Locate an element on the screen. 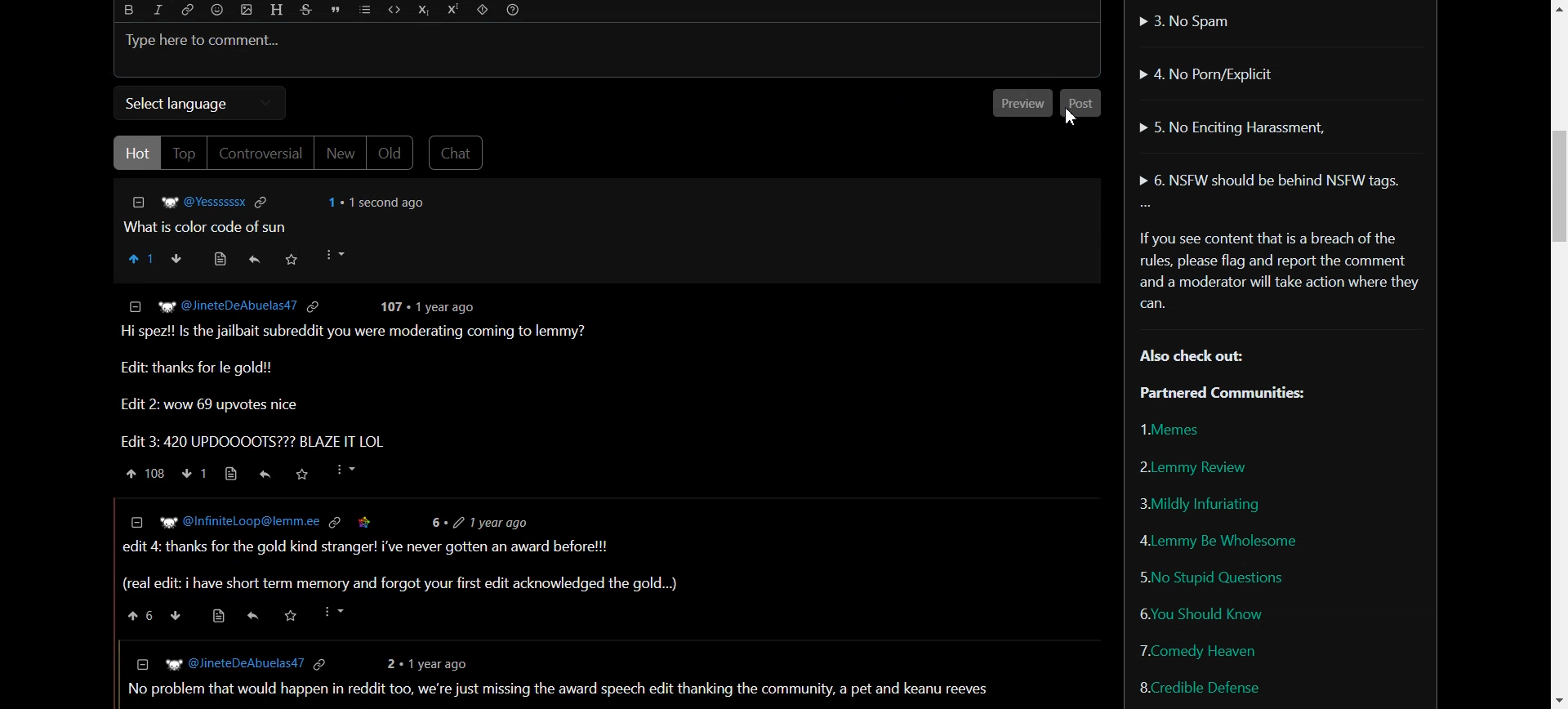  What is color code of sun is located at coordinates (214, 227).